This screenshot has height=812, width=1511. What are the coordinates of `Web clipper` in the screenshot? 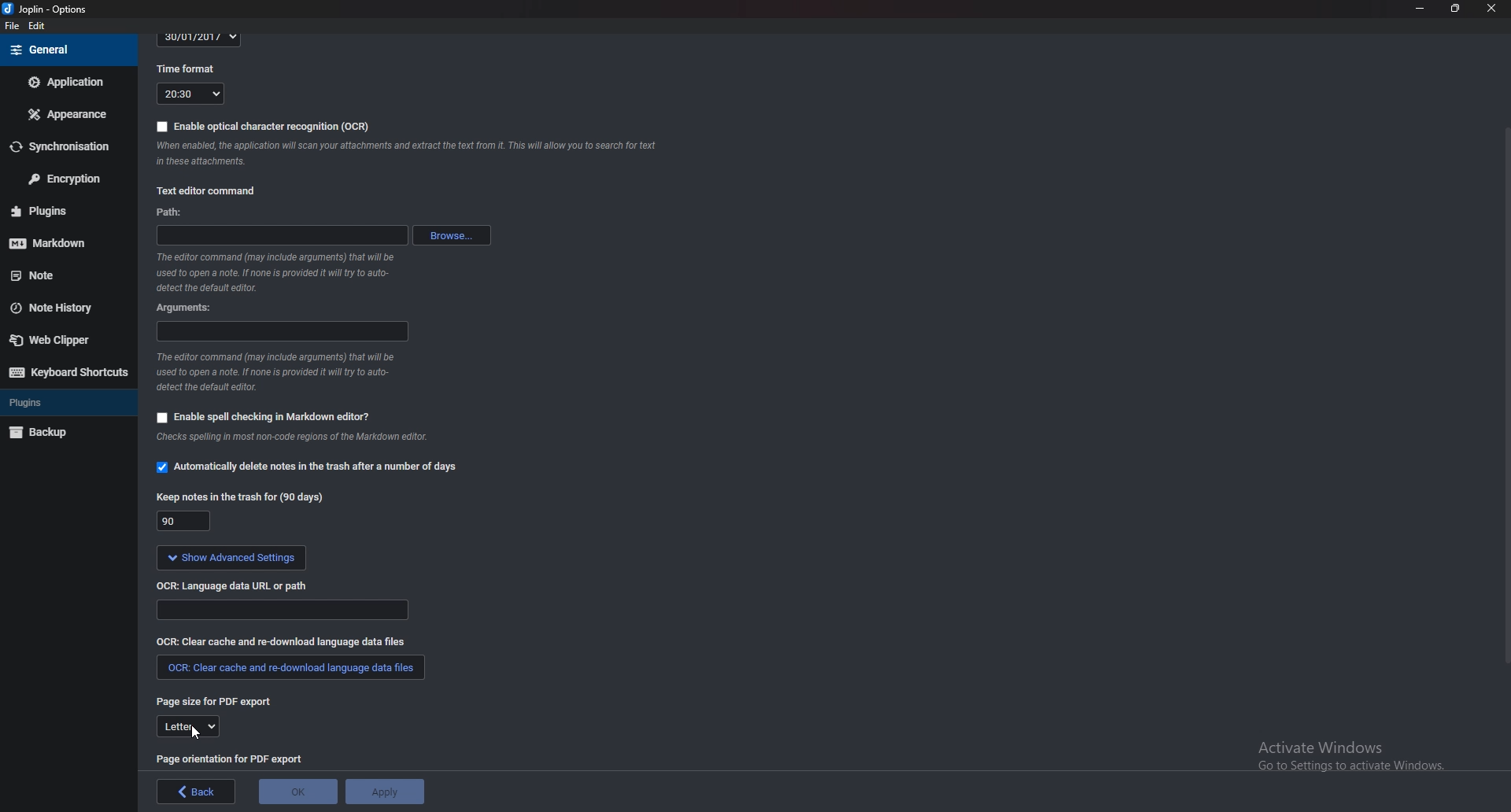 It's located at (62, 340).